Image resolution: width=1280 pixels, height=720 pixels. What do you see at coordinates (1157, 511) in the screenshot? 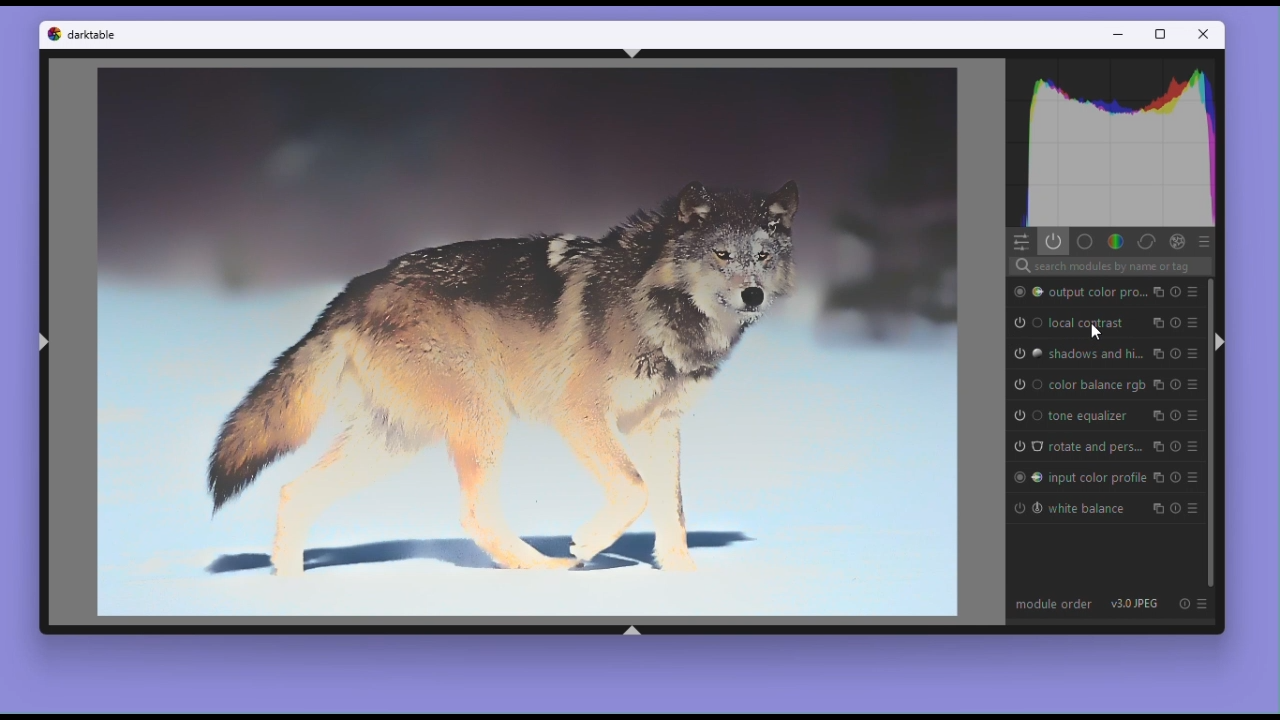
I see `multiple instance actions` at bounding box center [1157, 511].